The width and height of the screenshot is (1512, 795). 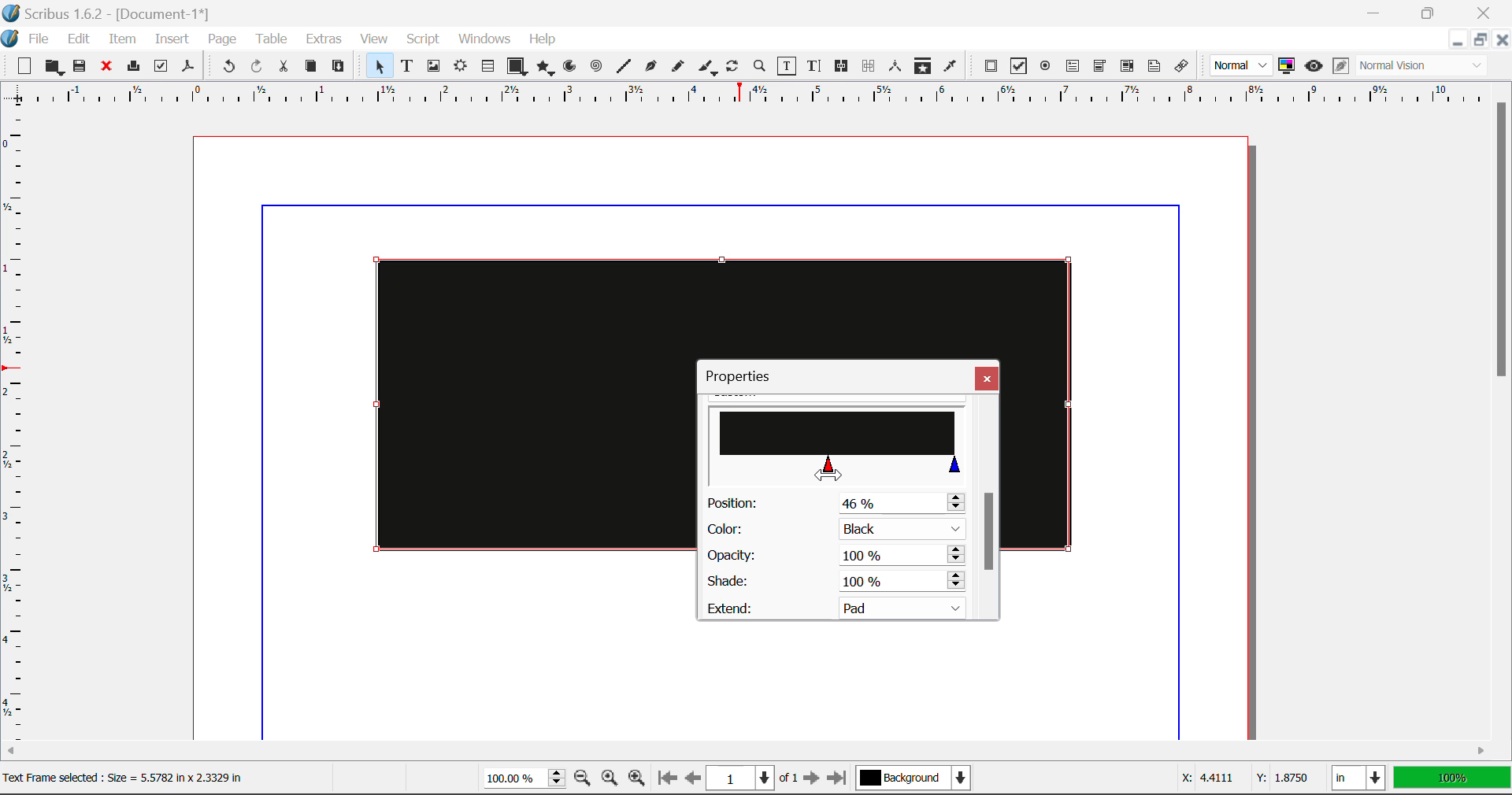 What do you see at coordinates (170, 42) in the screenshot?
I see `Insert` at bounding box center [170, 42].